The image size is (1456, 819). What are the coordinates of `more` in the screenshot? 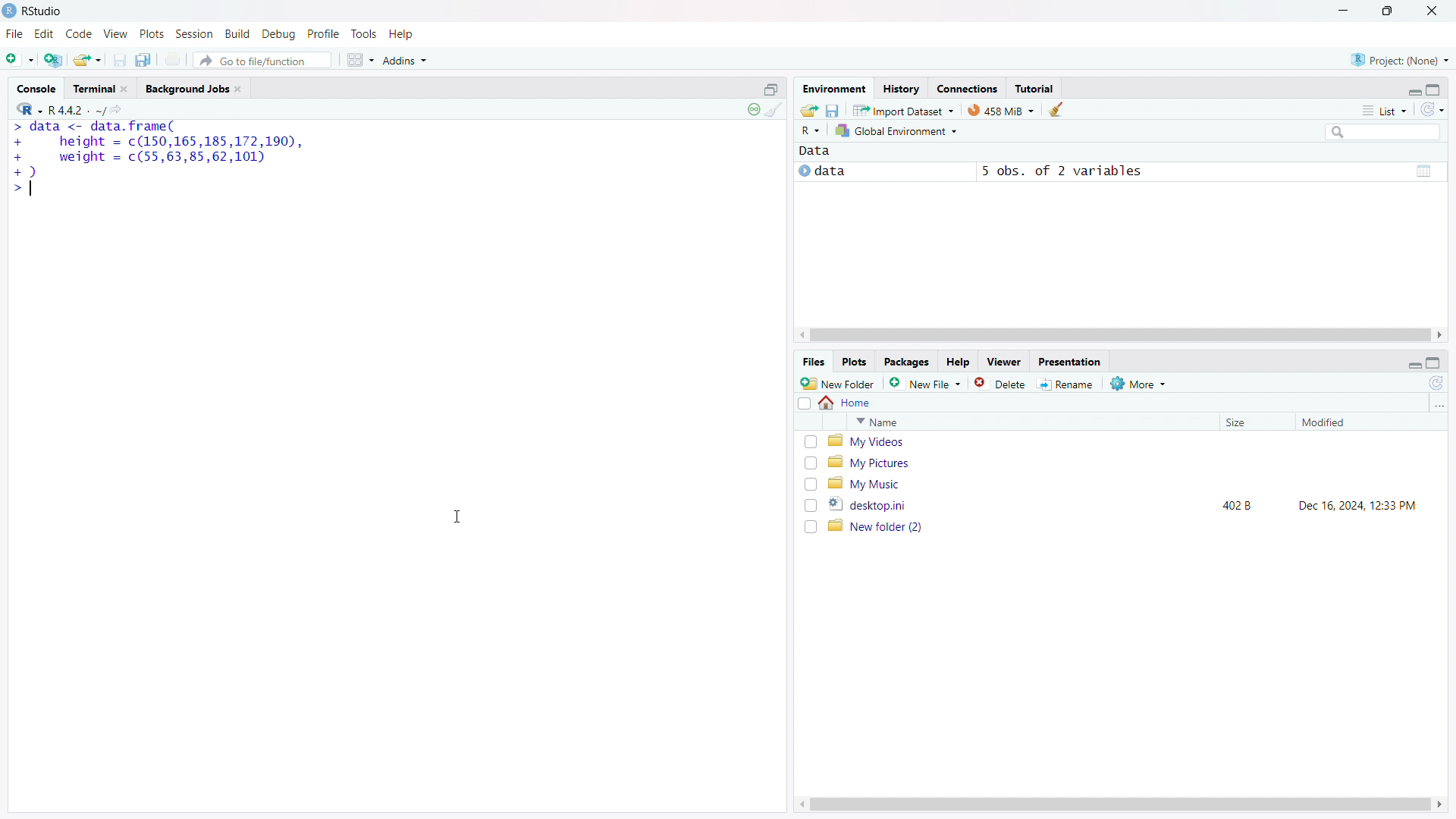 It's located at (1140, 383).